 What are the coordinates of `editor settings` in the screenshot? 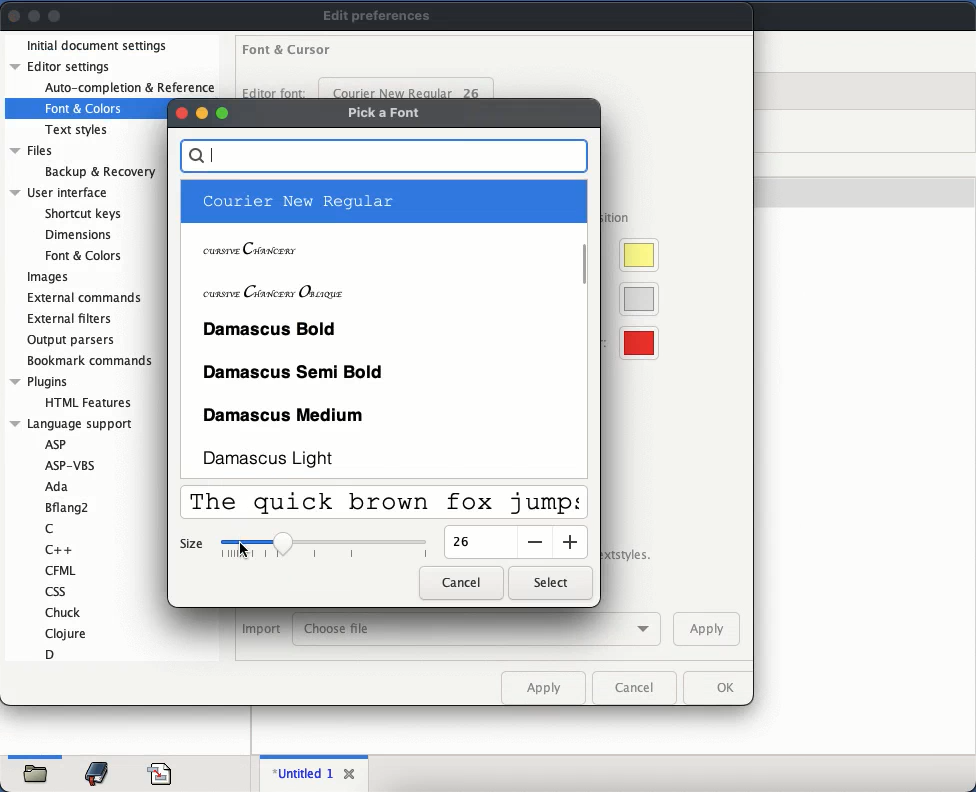 It's located at (62, 67).